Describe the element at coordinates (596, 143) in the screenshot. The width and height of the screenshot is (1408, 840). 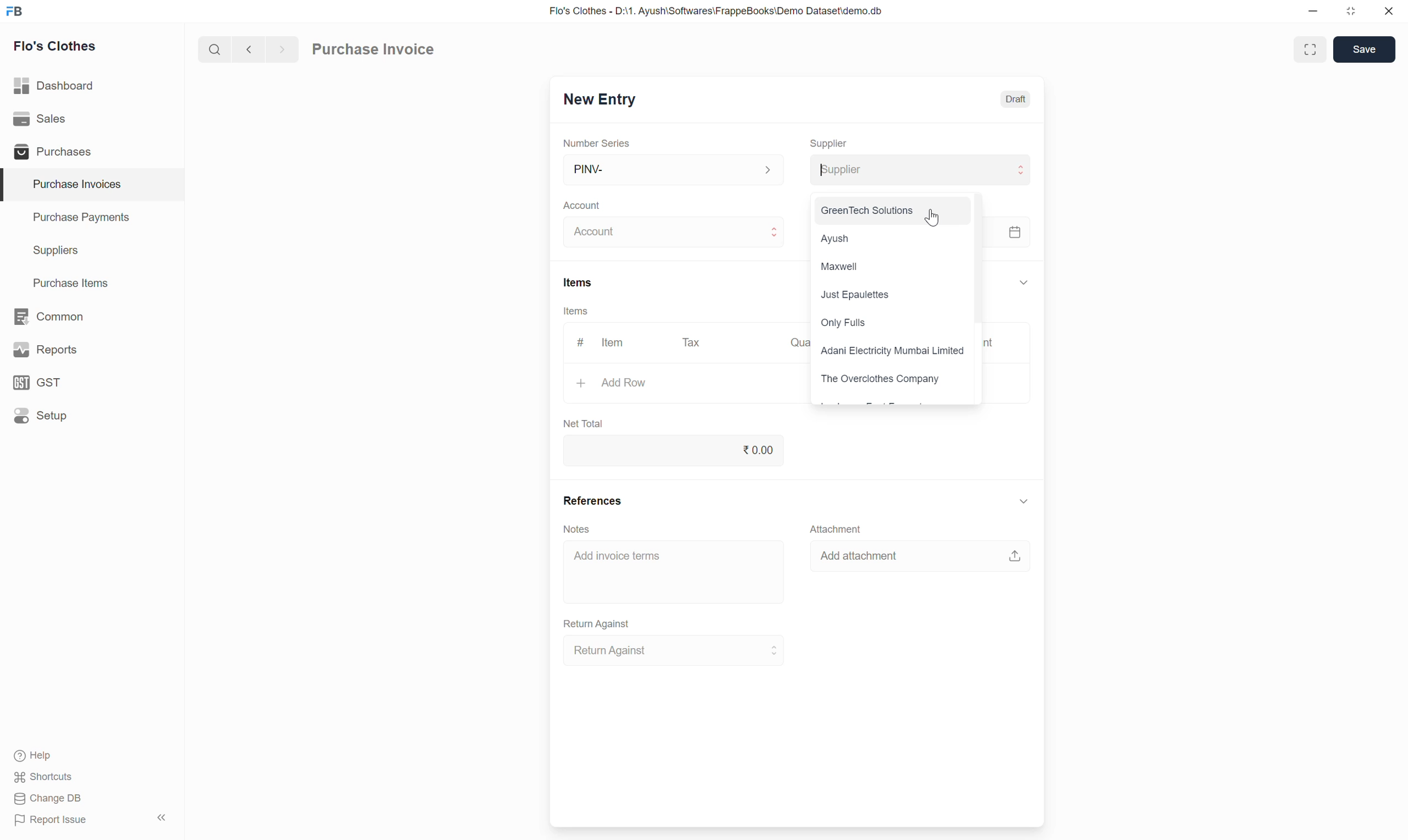
I see `Number Series` at that location.